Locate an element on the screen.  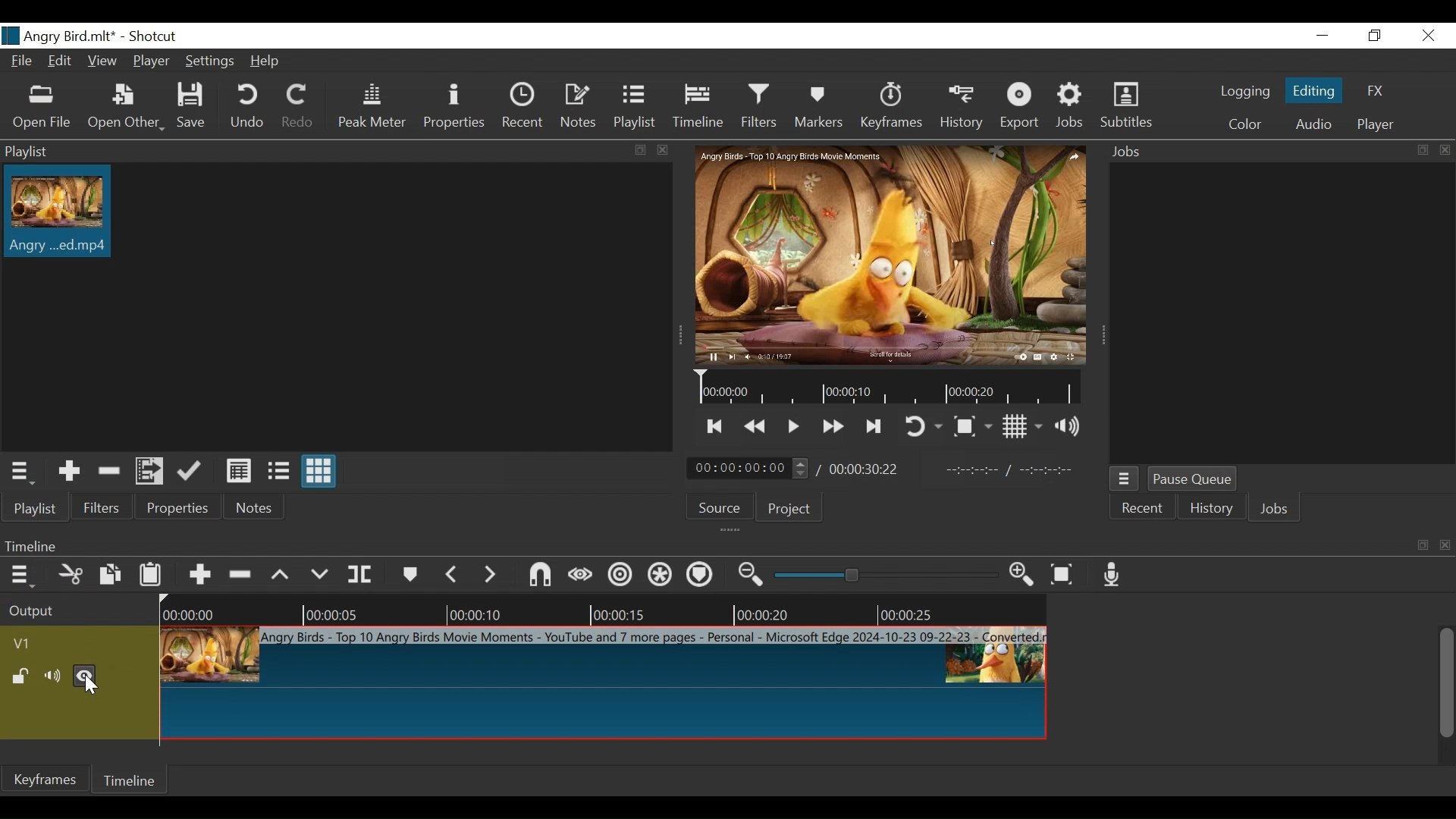
next marker is located at coordinates (490, 574).